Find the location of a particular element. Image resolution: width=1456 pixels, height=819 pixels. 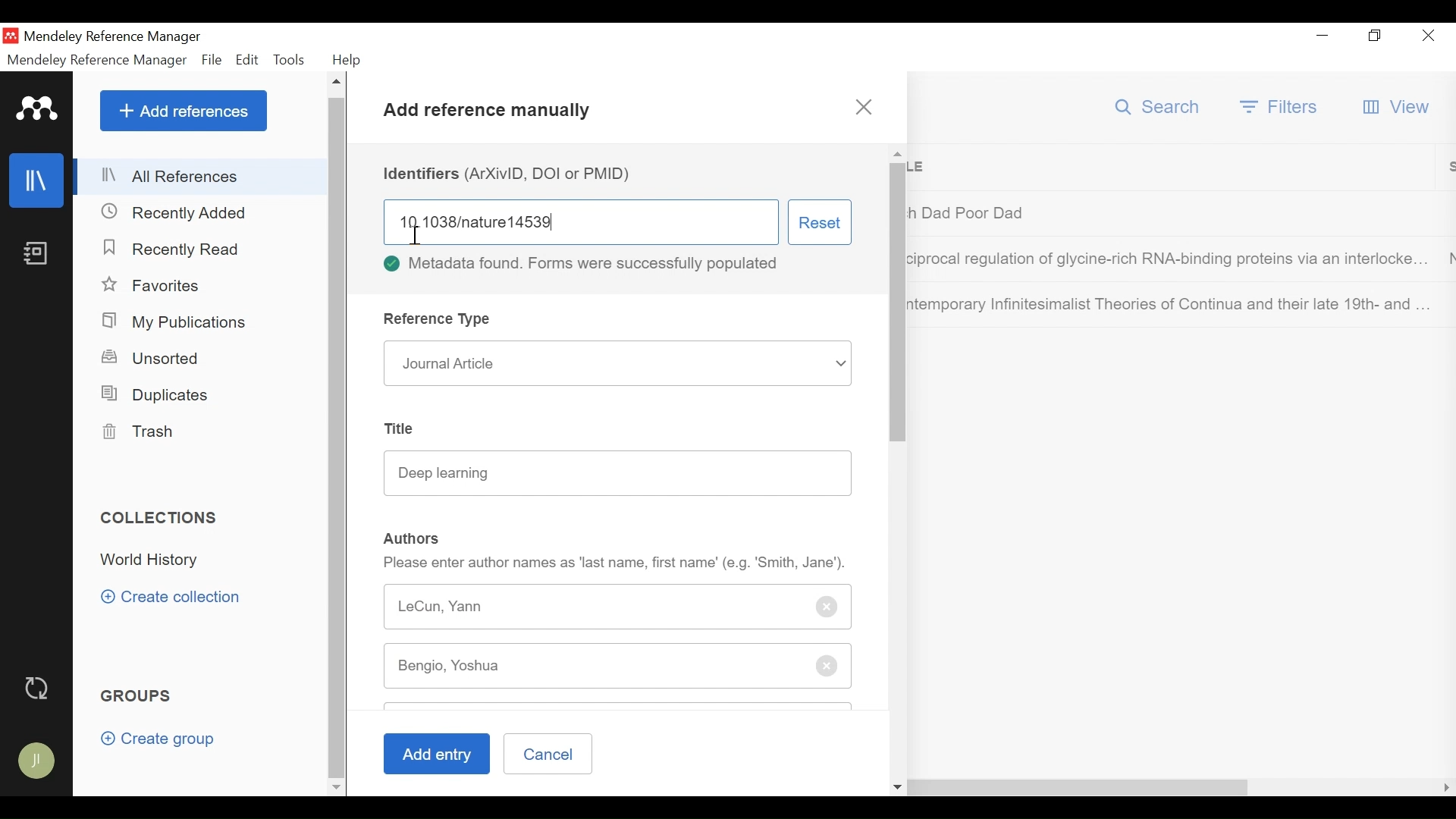

LeCun, Yann is located at coordinates (620, 605).